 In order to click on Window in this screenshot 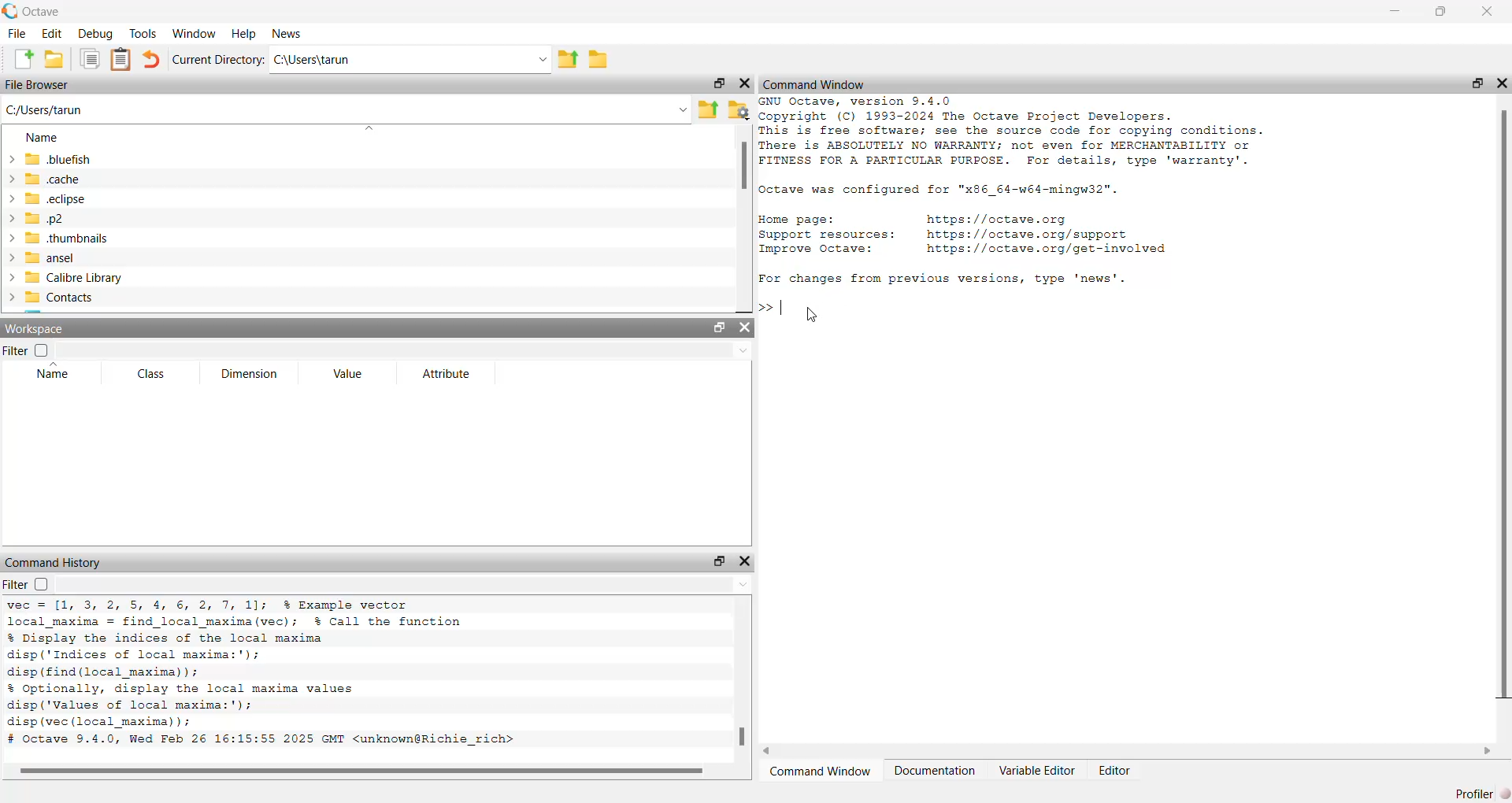, I will do `click(194, 33)`.